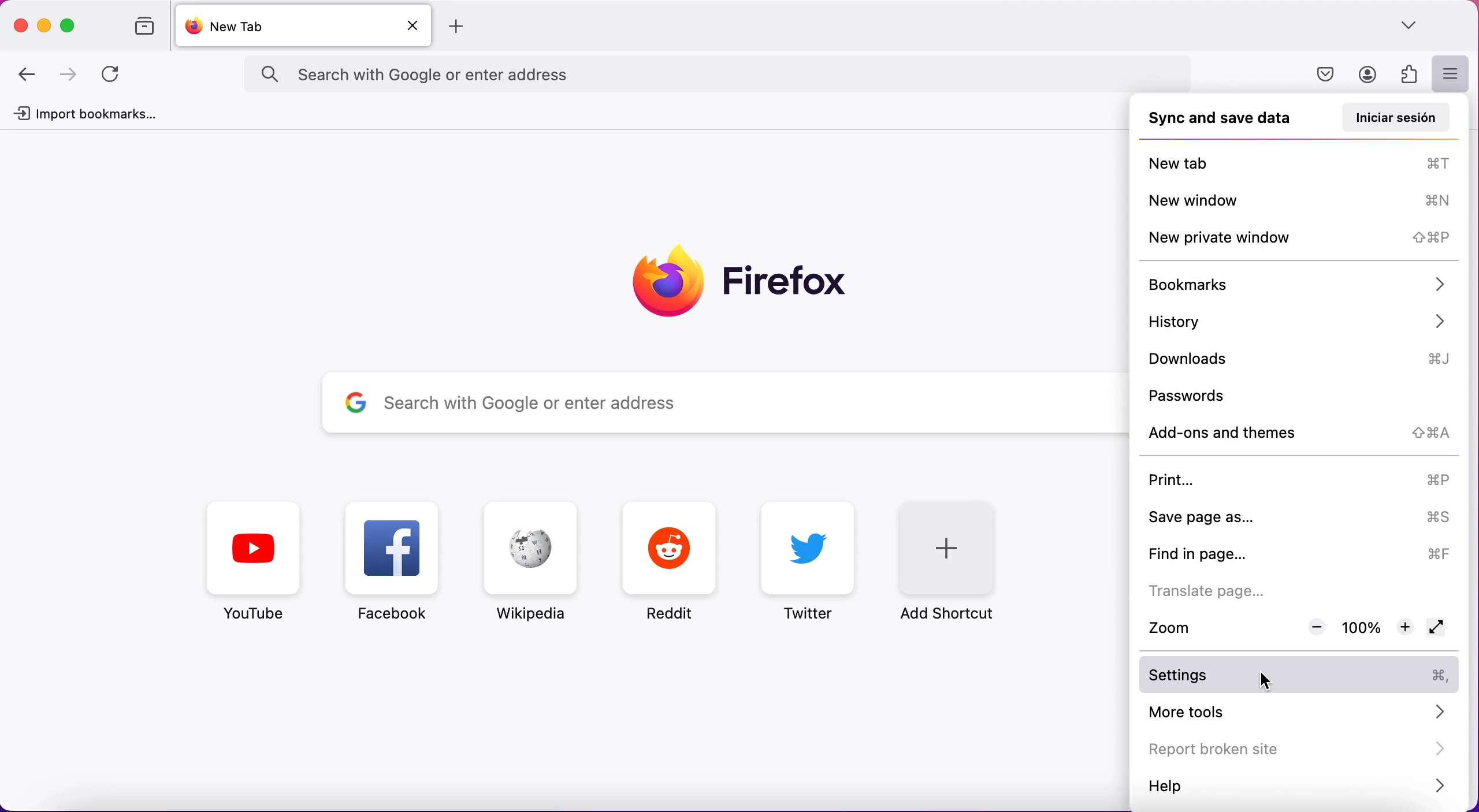 Image resolution: width=1479 pixels, height=812 pixels. What do you see at coordinates (1305, 359) in the screenshot?
I see `downloads` at bounding box center [1305, 359].